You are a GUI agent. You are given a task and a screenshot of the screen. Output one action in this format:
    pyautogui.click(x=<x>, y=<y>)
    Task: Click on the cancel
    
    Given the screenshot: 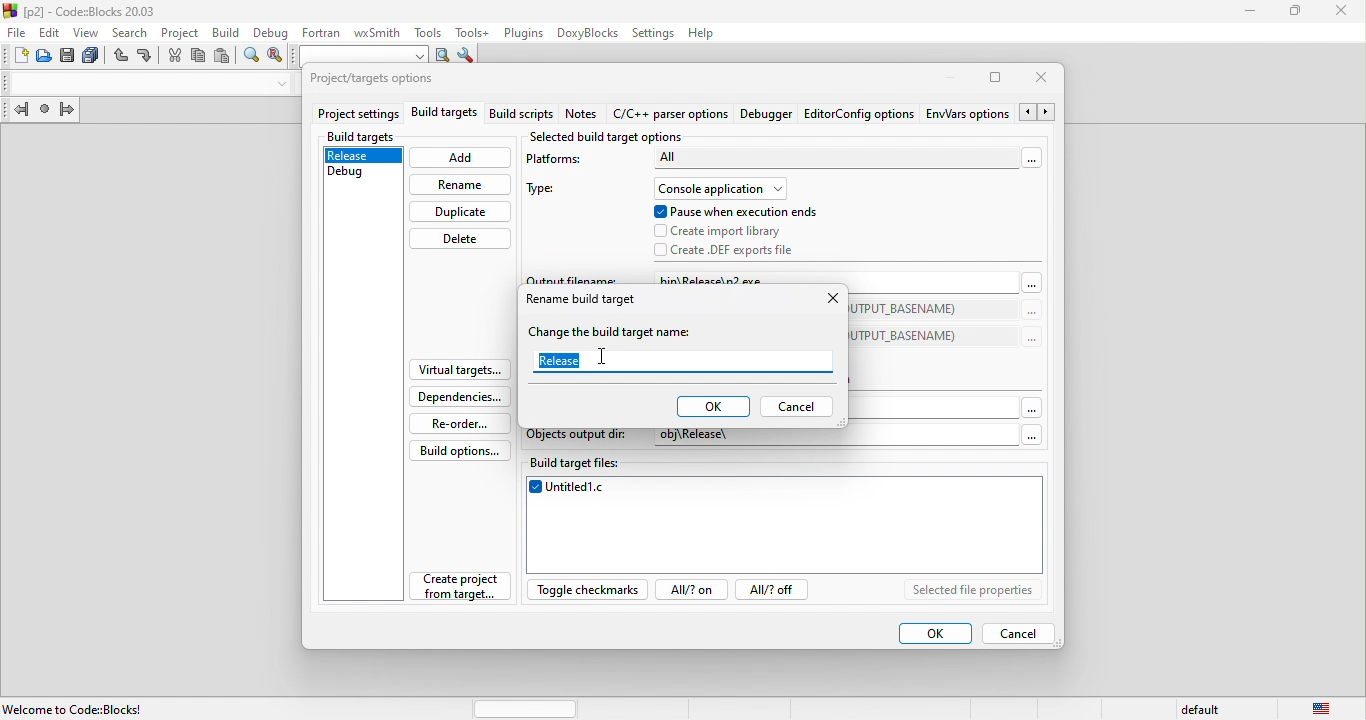 What is the action you would take?
    pyautogui.click(x=796, y=407)
    